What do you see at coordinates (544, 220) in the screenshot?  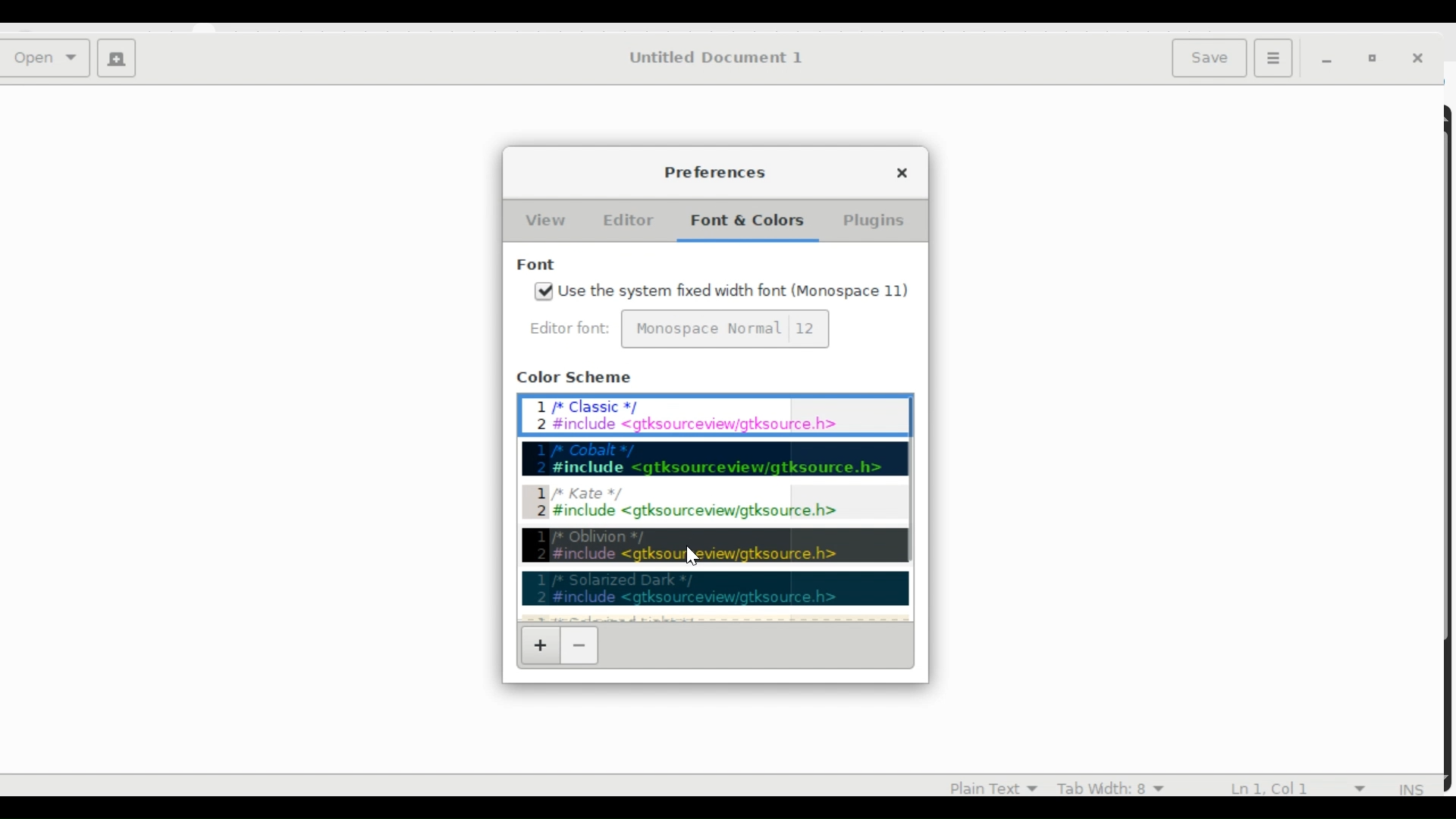 I see `current selected View tab` at bounding box center [544, 220].